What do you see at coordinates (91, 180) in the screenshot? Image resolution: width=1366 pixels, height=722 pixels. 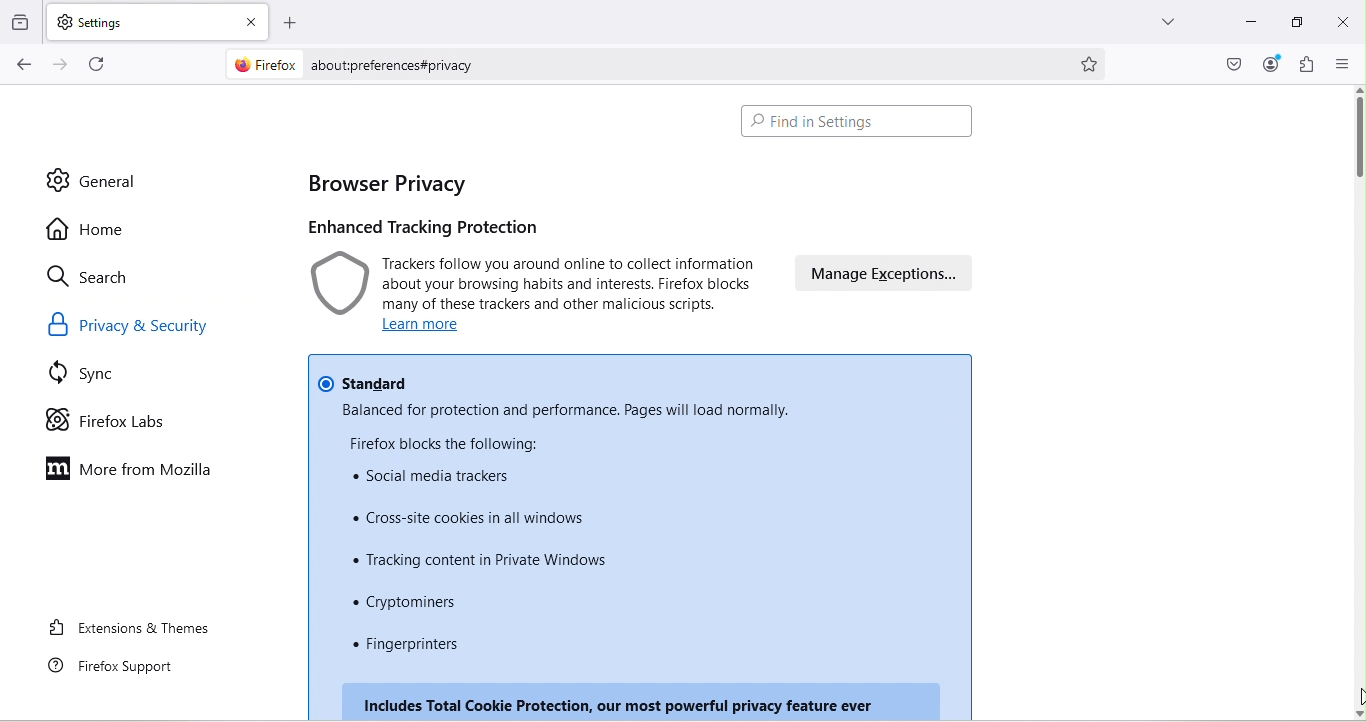 I see `General` at bounding box center [91, 180].